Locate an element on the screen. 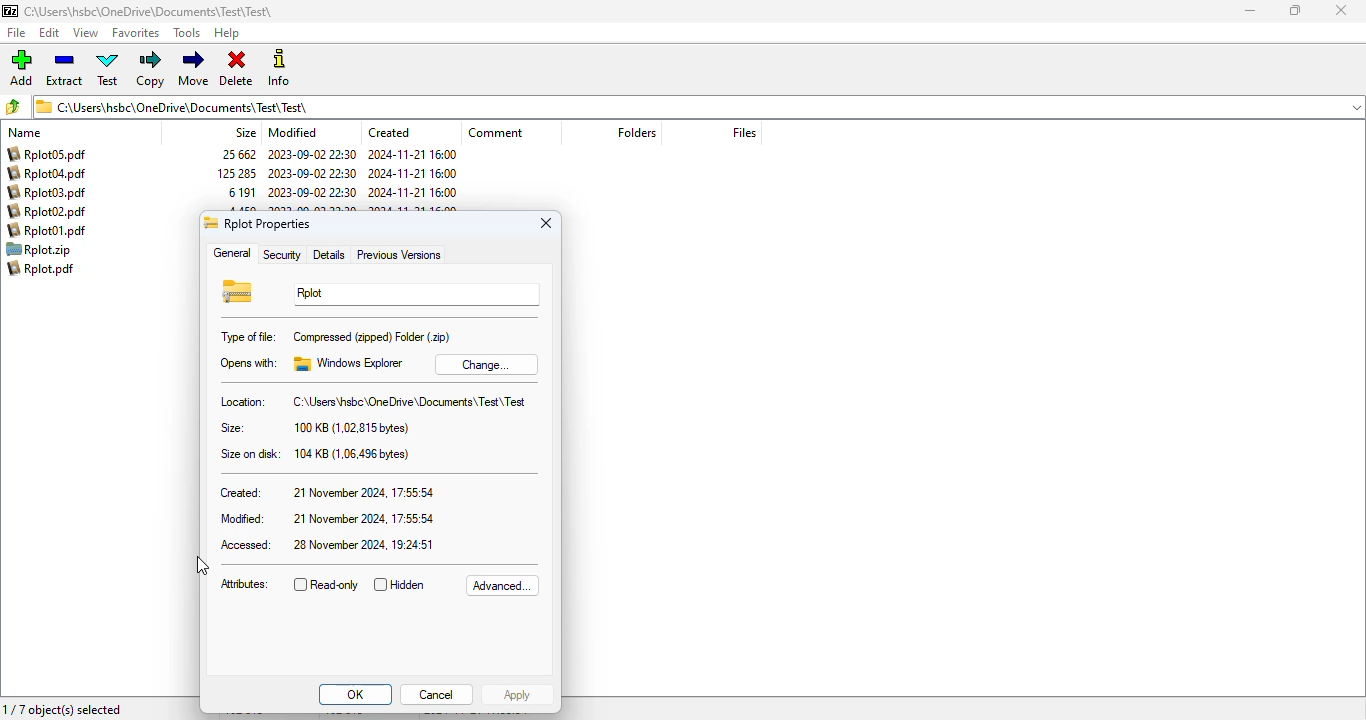 This screenshot has width=1366, height=720. Rplot02.pdf is located at coordinates (46, 210).